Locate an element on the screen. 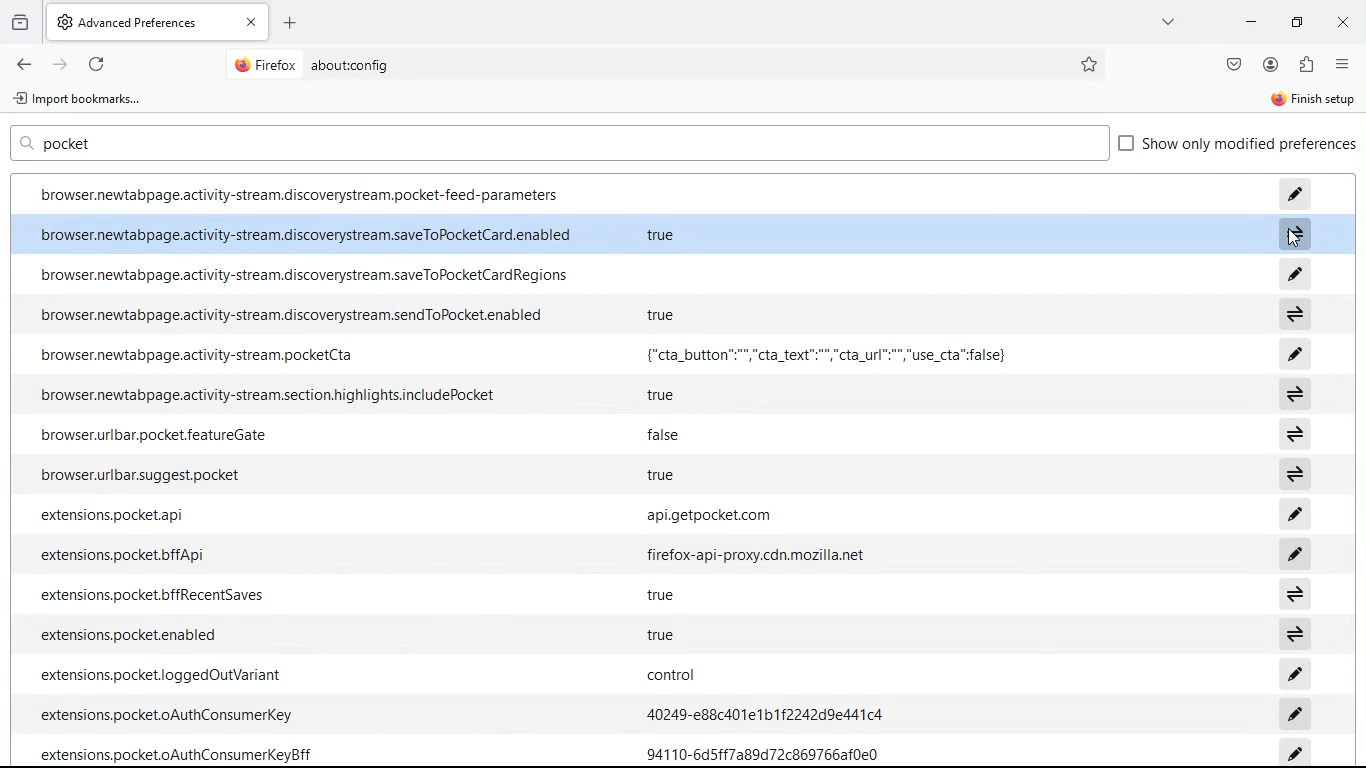 This screenshot has height=768, width=1366. minimize is located at coordinates (1248, 23).